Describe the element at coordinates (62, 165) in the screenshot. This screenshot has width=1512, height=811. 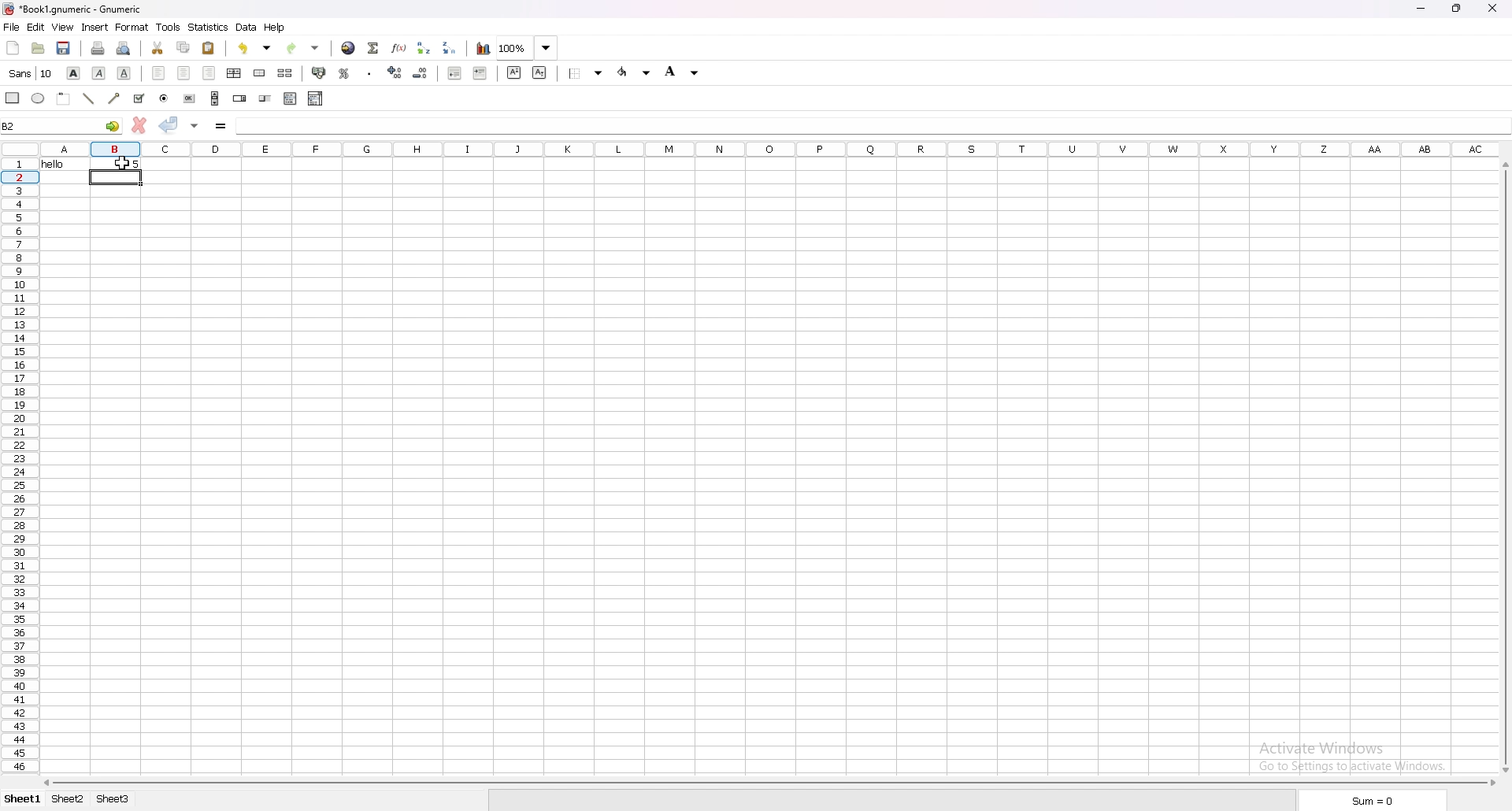
I see `text` at that location.